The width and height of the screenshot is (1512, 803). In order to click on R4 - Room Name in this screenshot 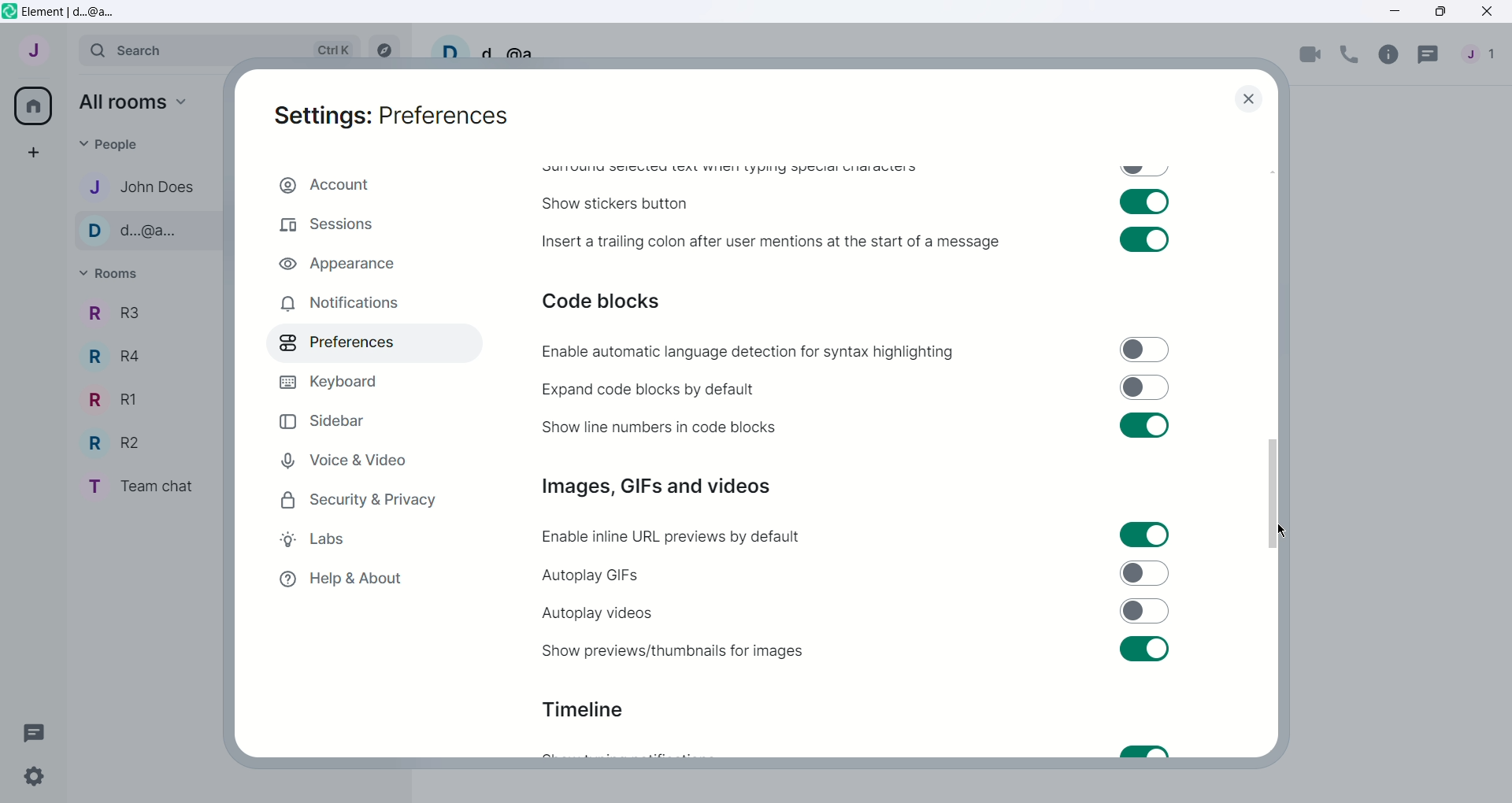, I will do `click(120, 358)`.